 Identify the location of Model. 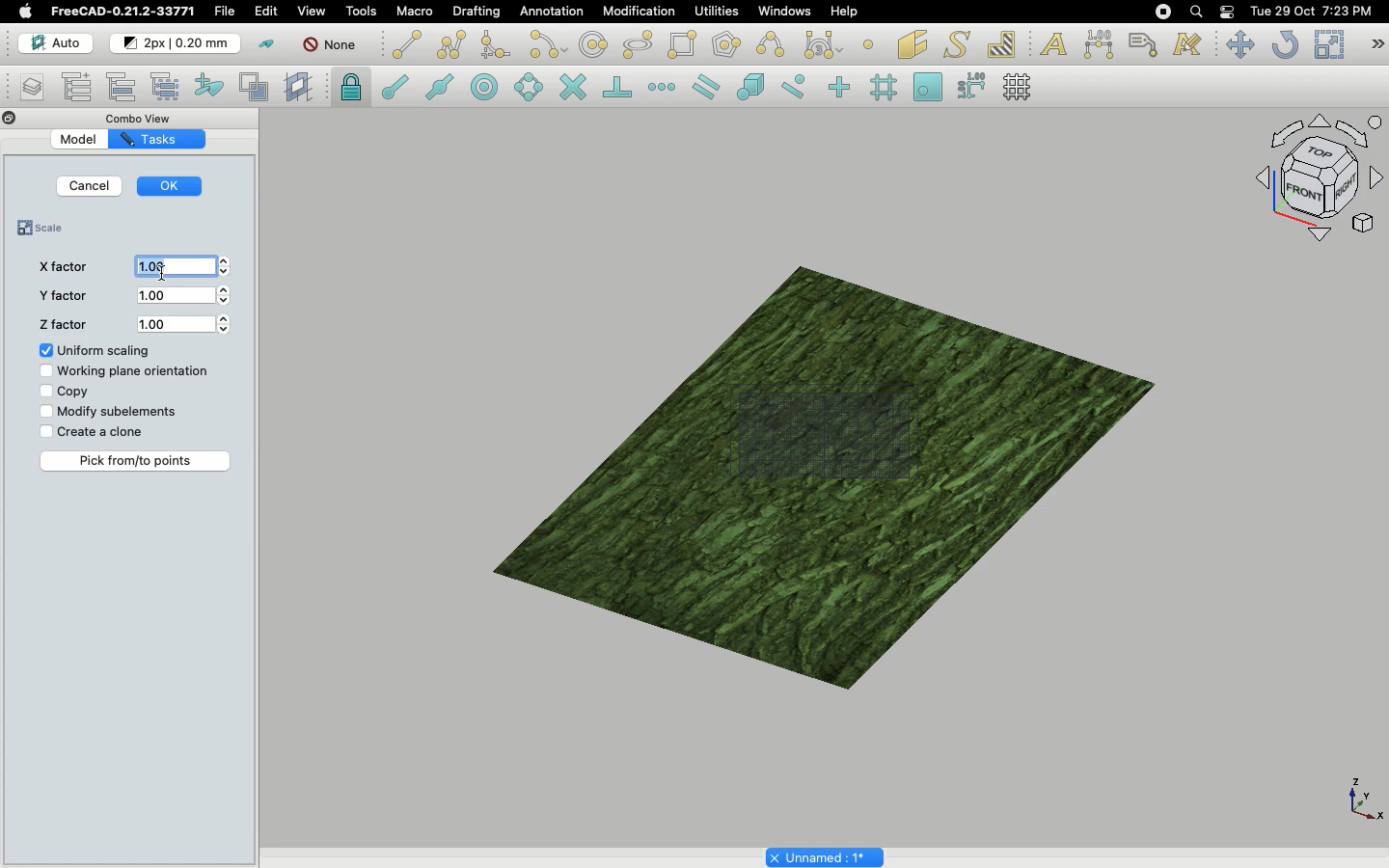
(80, 140).